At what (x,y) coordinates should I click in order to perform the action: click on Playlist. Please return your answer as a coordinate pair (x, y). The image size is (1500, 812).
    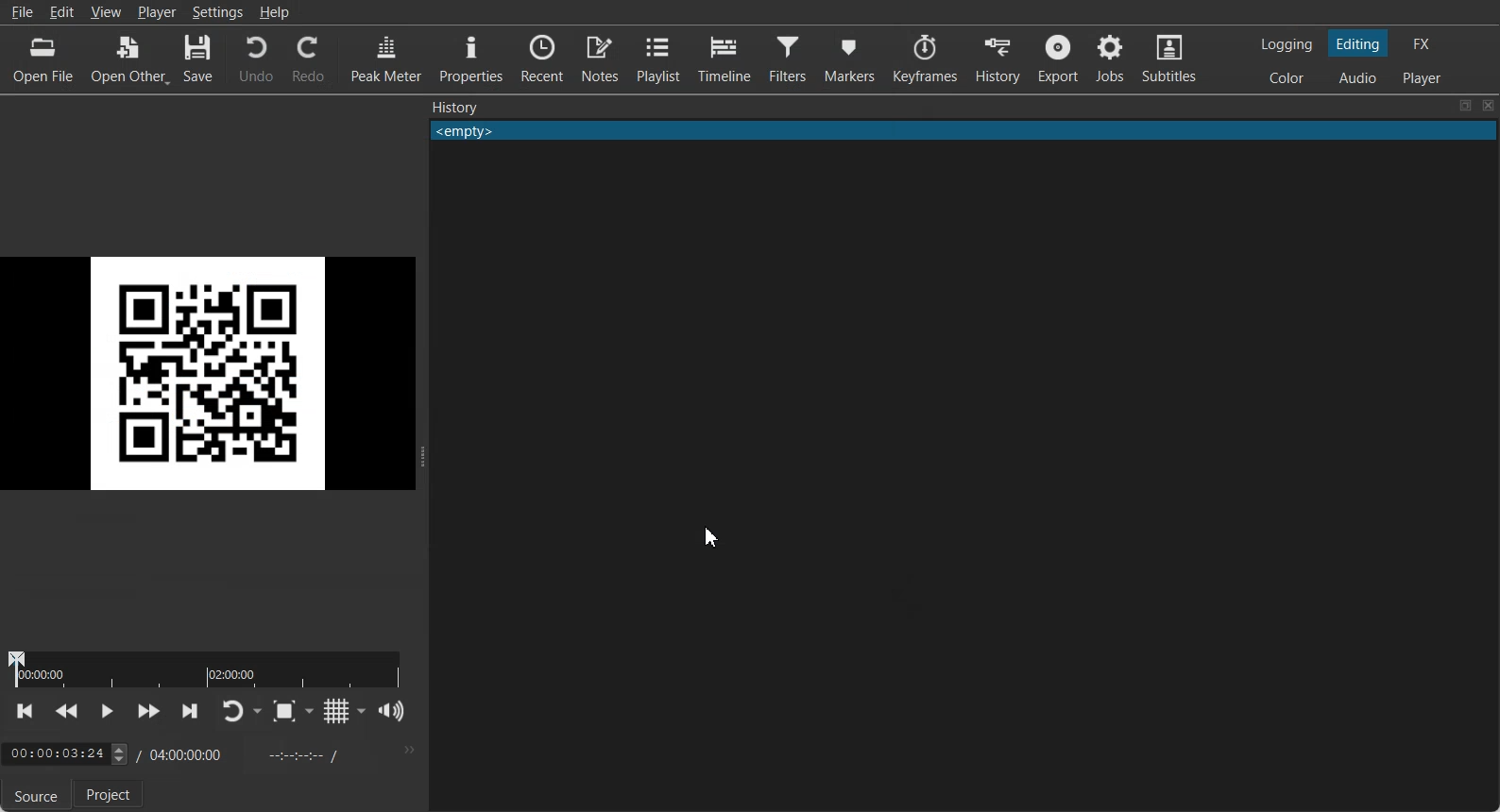
    Looking at the image, I should click on (657, 58).